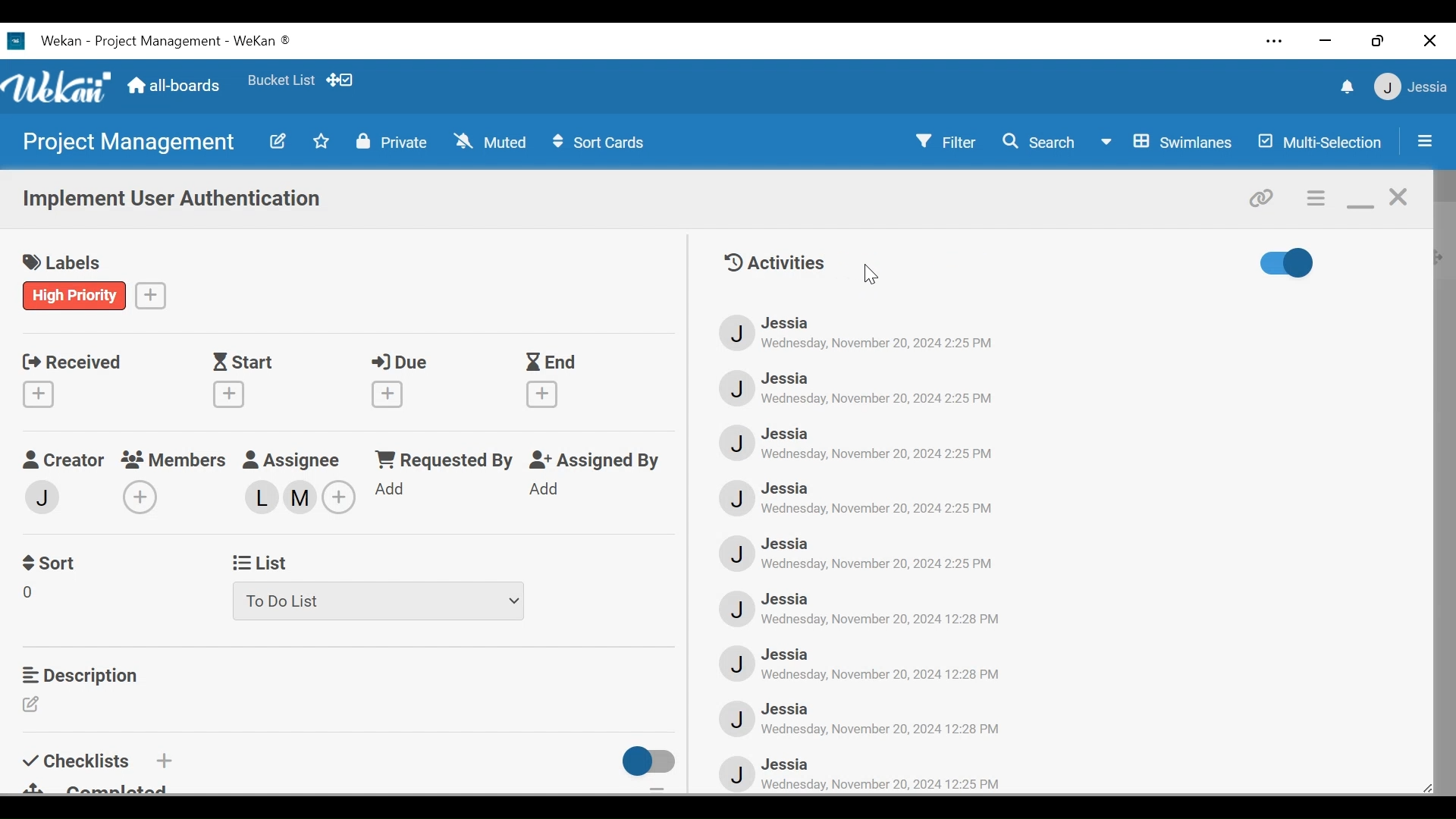  I want to click on Private, so click(394, 141).